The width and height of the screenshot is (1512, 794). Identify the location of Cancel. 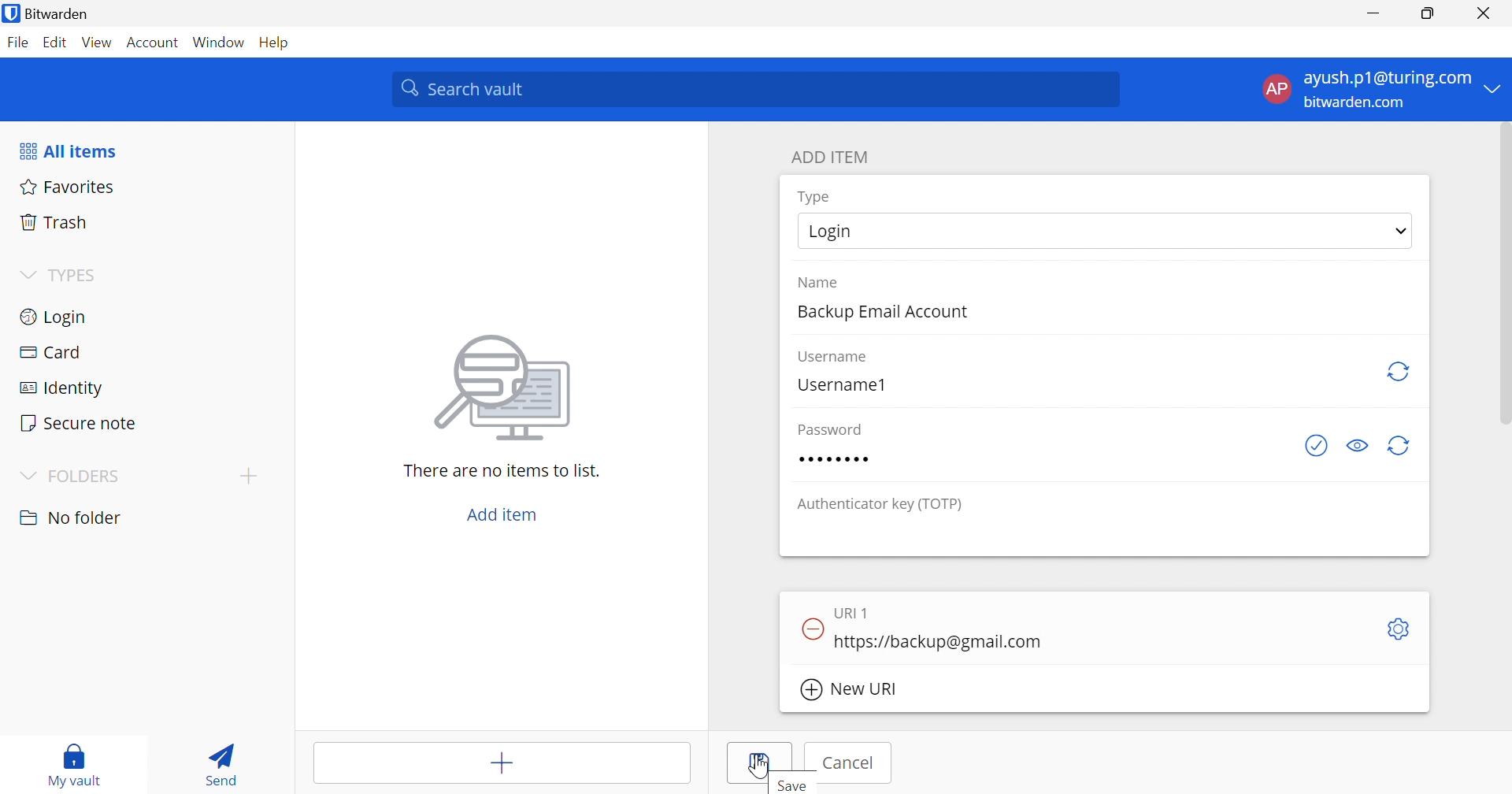
(851, 762).